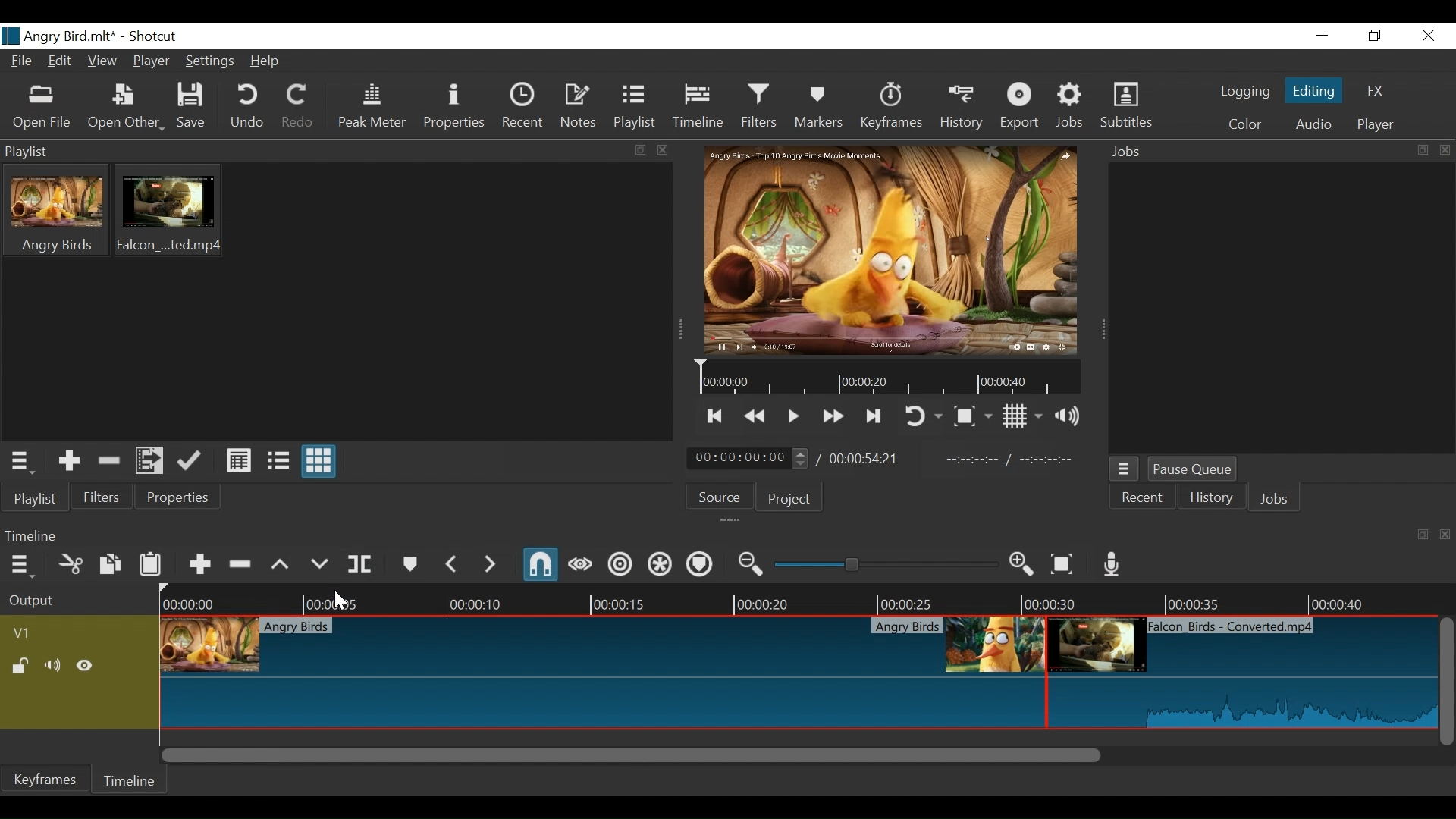 This screenshot has width=1456, height=819. What do you see at coordinates (175, 497) in the screenshot?
I see `Properties` at bounding box center [175, 497].